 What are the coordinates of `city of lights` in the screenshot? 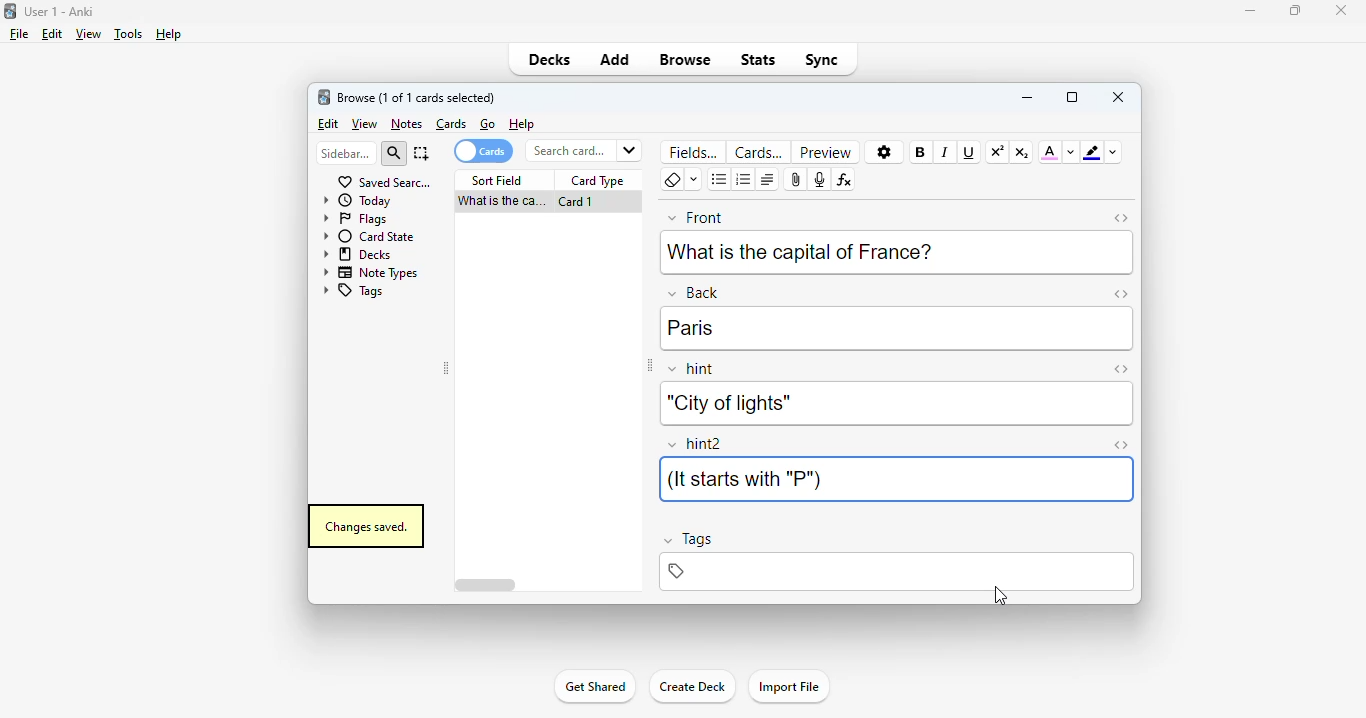 It's located at (727, 403).